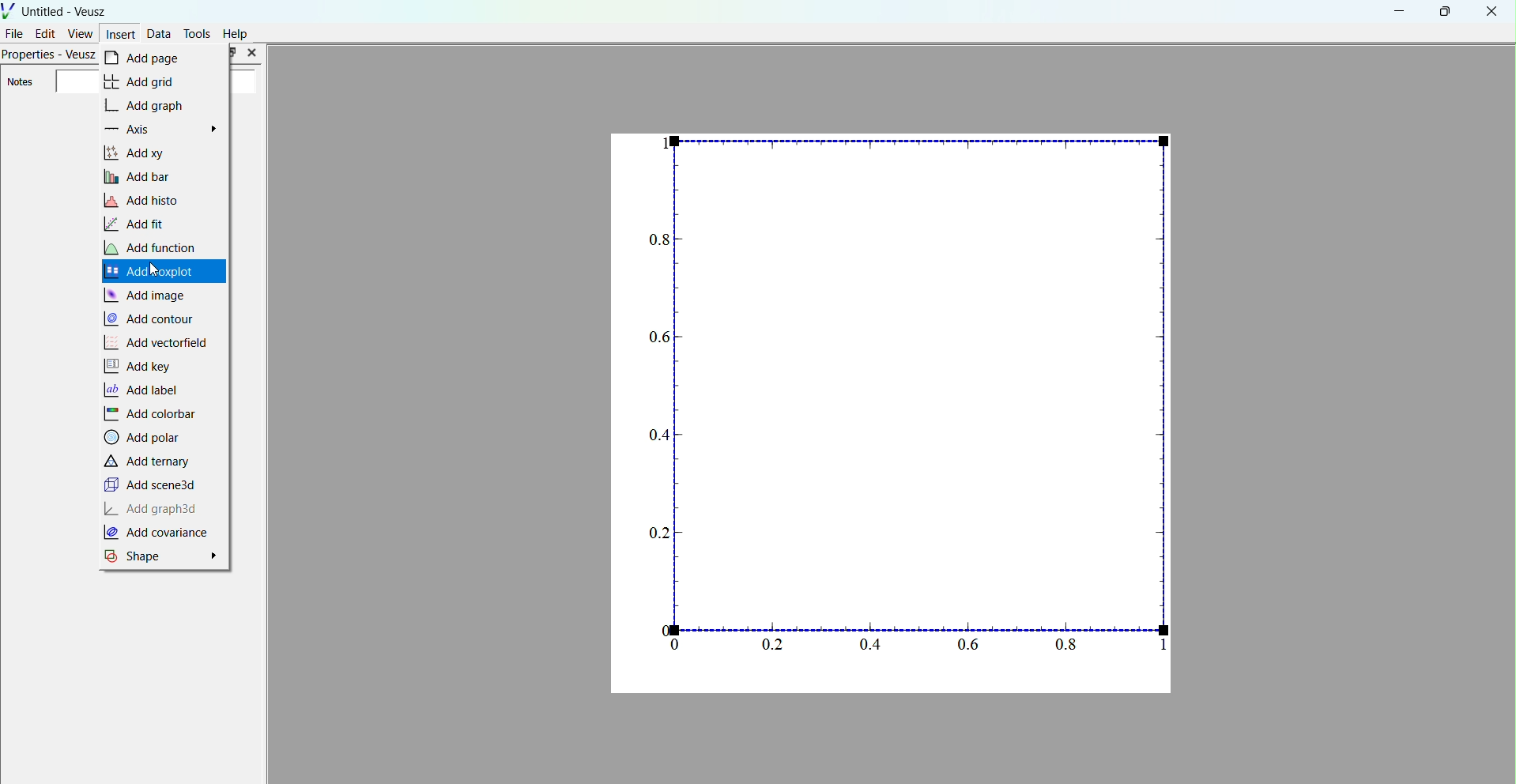 This screenshot has width=1516, height=784. What do you see at coordinates (148, 82) in the screenshot?
I see `Add grid` at bounding box center [148, 82].